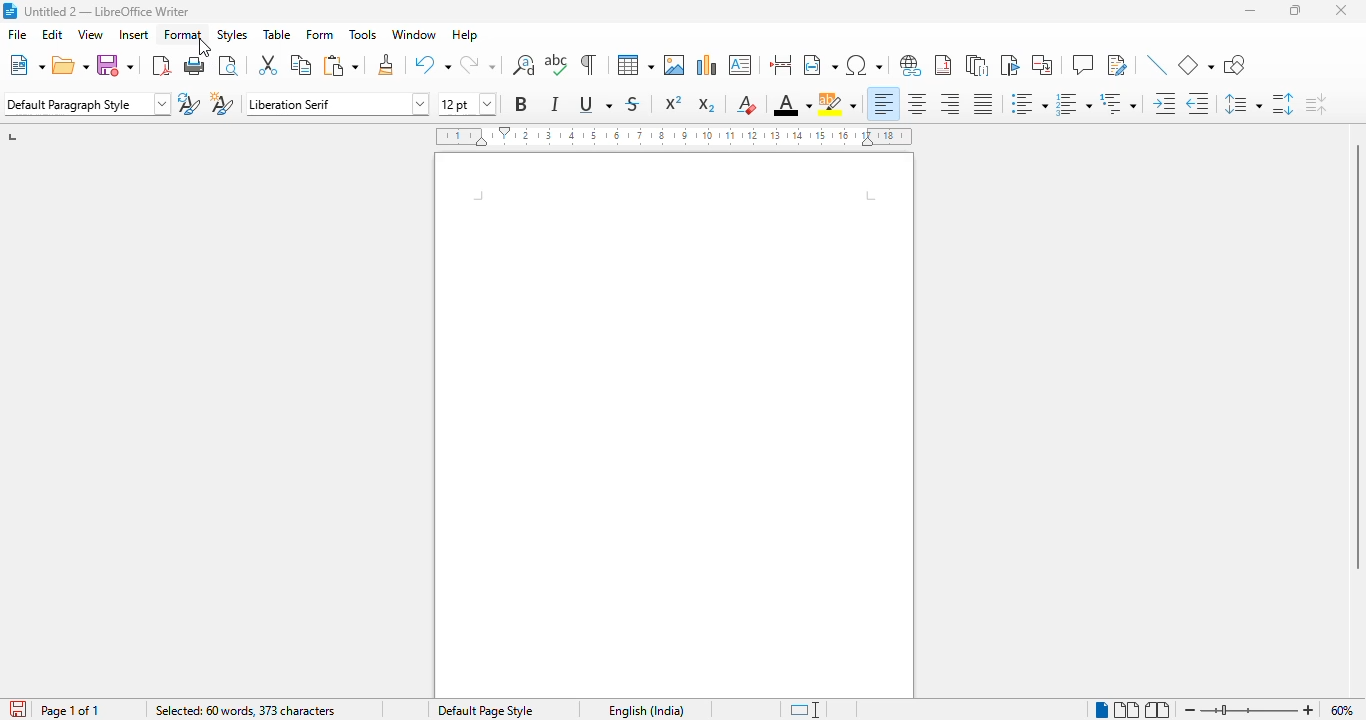 The height and width of the screenshot is (720, 1366). Describe the element at coordinates (1157, 710) in the screenshot. I see `book view` at that location.